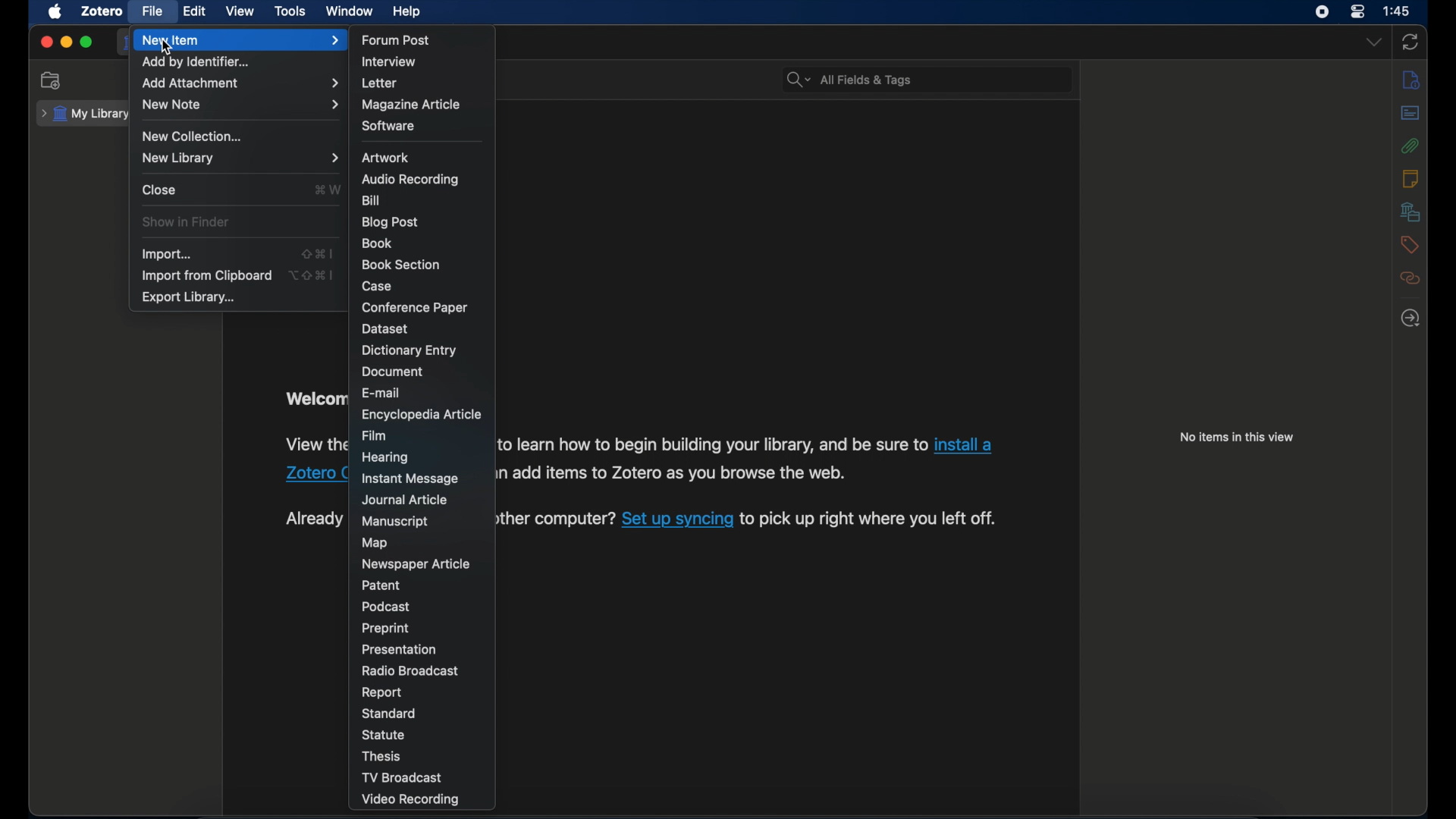  What do you see at coordinates (1410, 318) in the screenshot?
I see `locate` at bounding box center [1410, 318].